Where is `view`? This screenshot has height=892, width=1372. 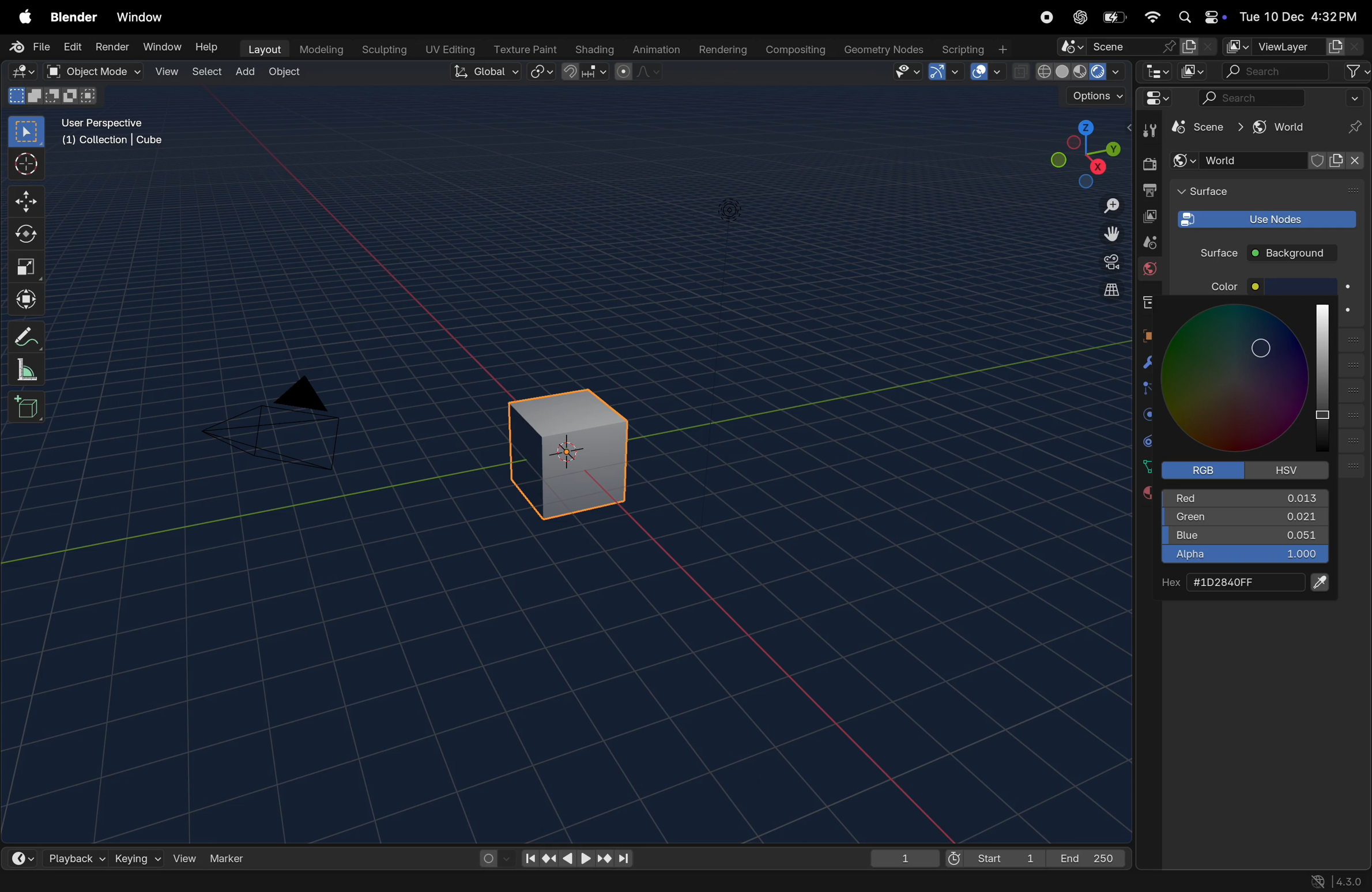 view is located at coordinates (184, 856).